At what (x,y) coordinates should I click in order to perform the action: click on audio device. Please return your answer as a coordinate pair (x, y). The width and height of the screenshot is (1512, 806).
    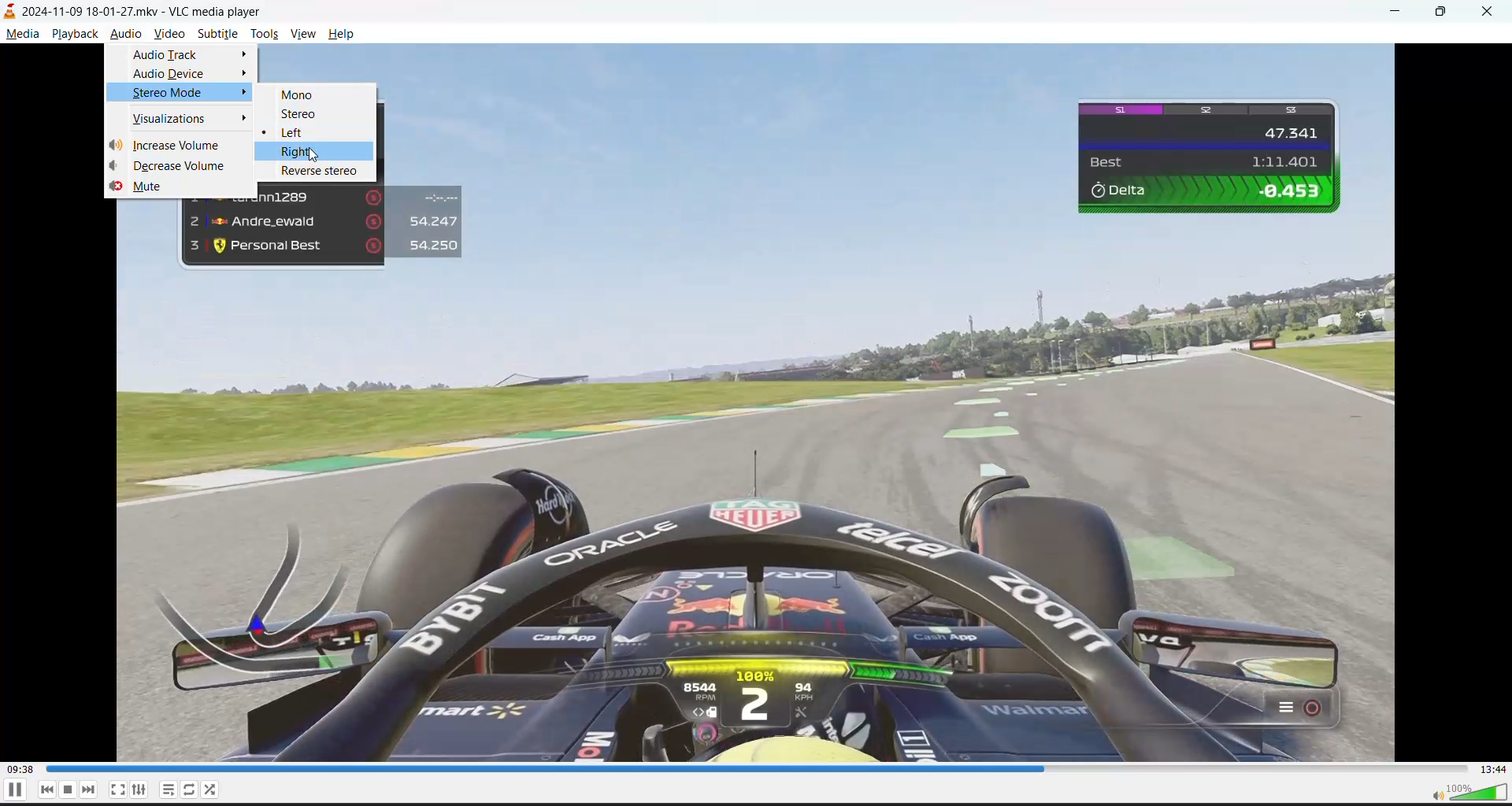
    Looking at the image, I should click on (177, 75).